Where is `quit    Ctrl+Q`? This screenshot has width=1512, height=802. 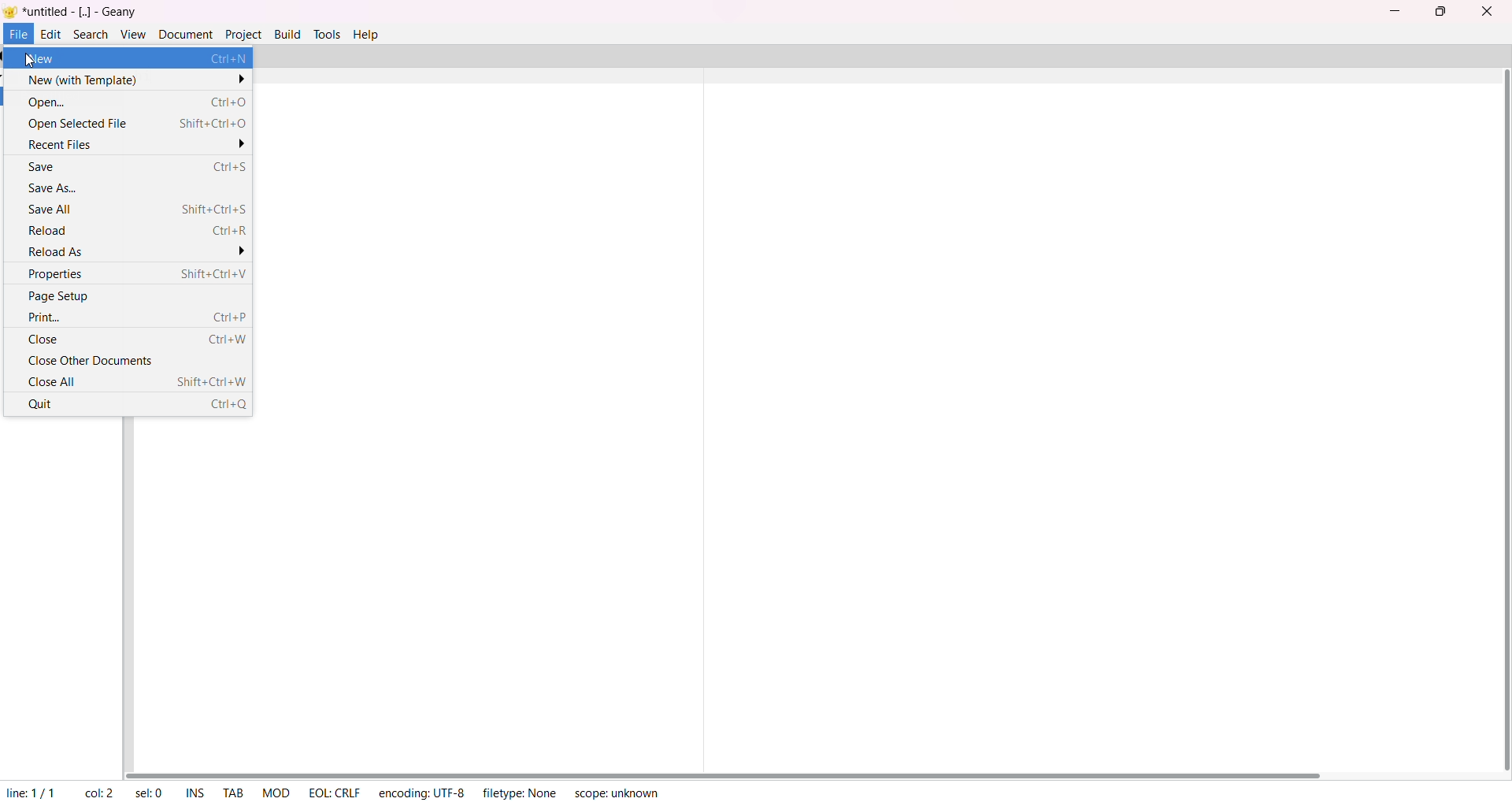
quit    Ctrl+Q is located at coordinates (135, 408).